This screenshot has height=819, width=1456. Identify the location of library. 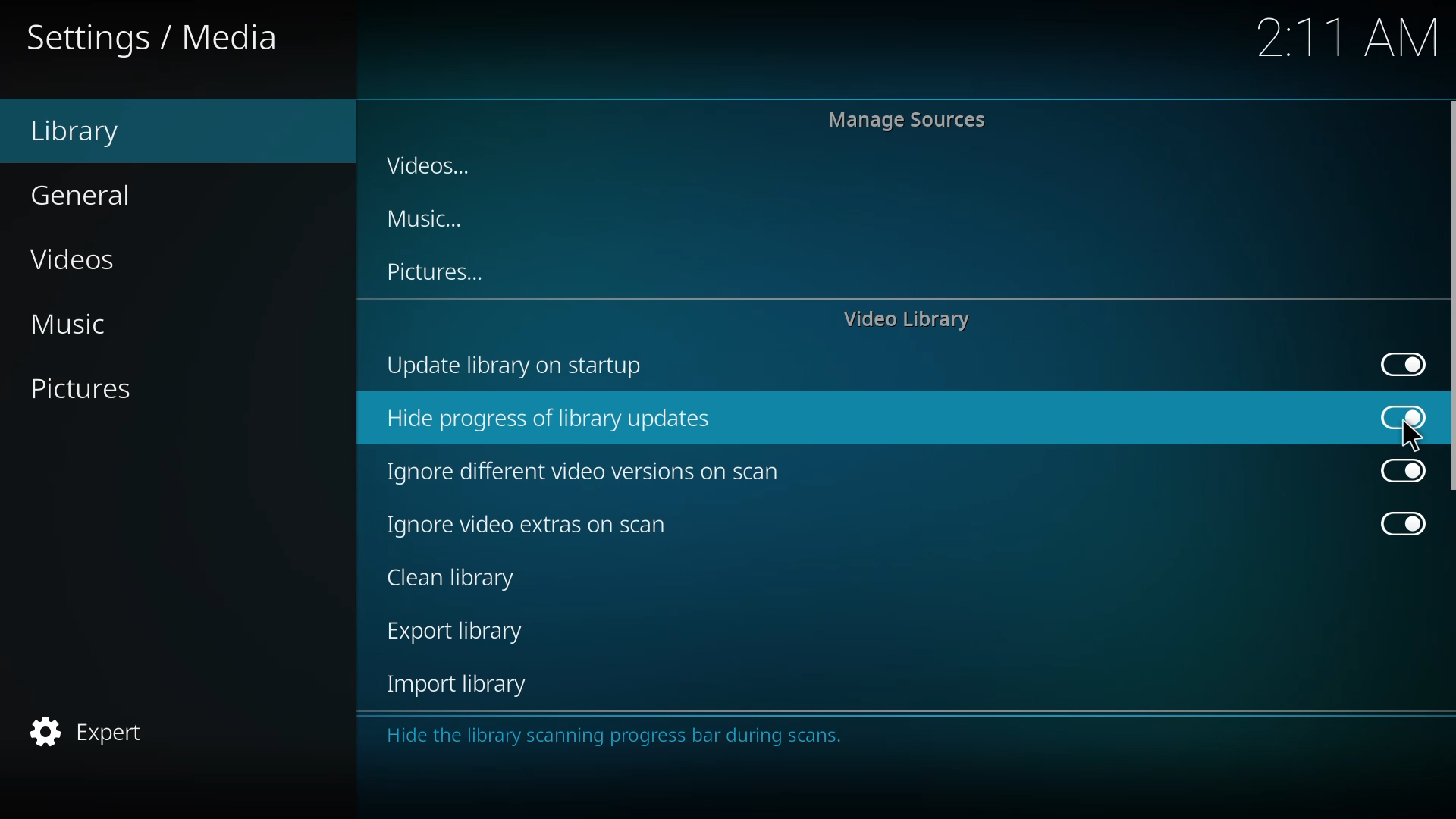
(102, 132).